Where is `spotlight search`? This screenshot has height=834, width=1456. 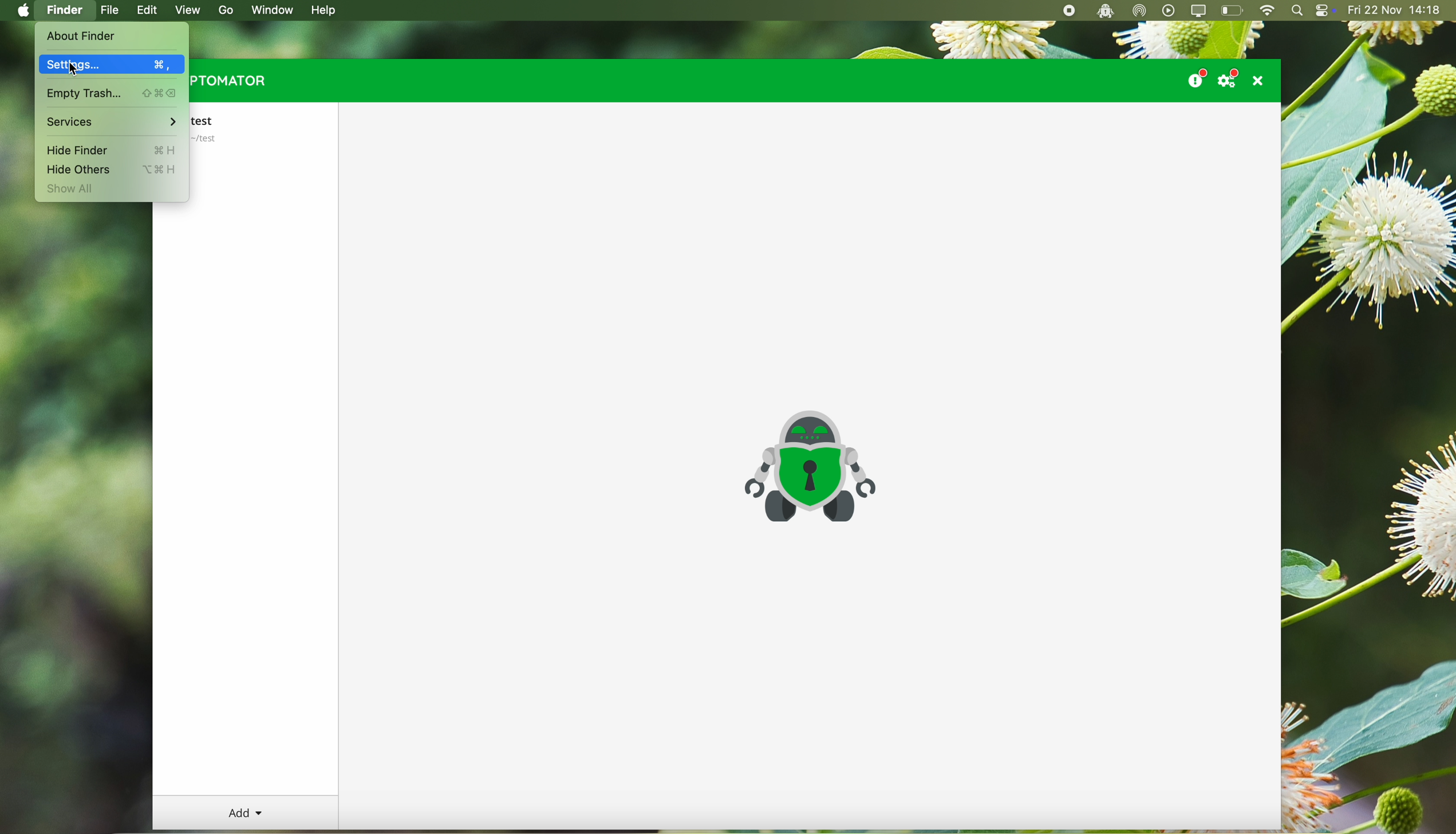 spotlight search is located at coordinates (1297, 11).